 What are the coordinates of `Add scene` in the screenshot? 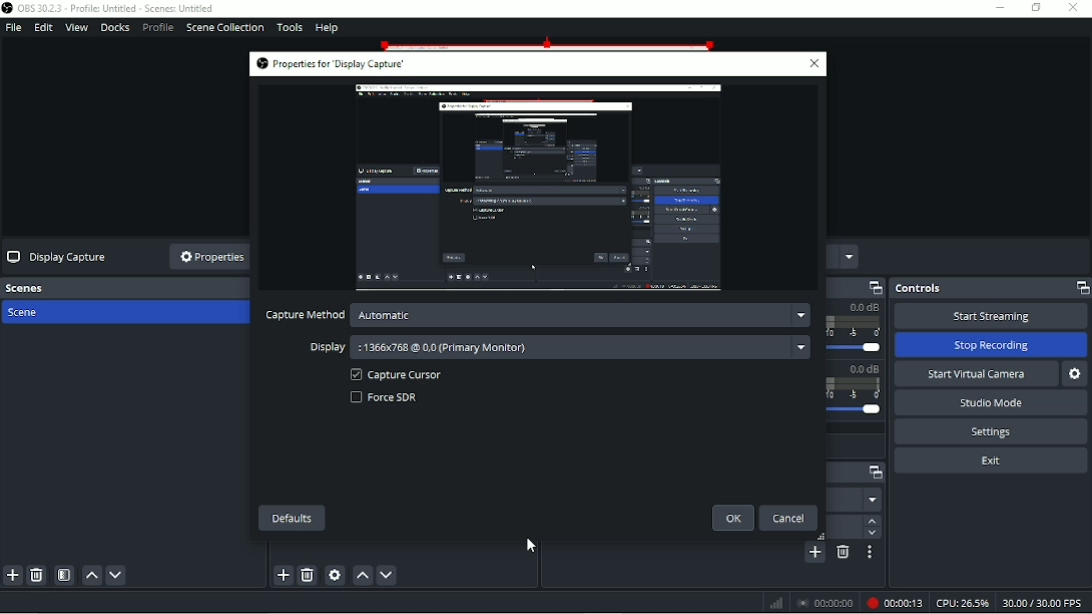 It's located at (12, 576).